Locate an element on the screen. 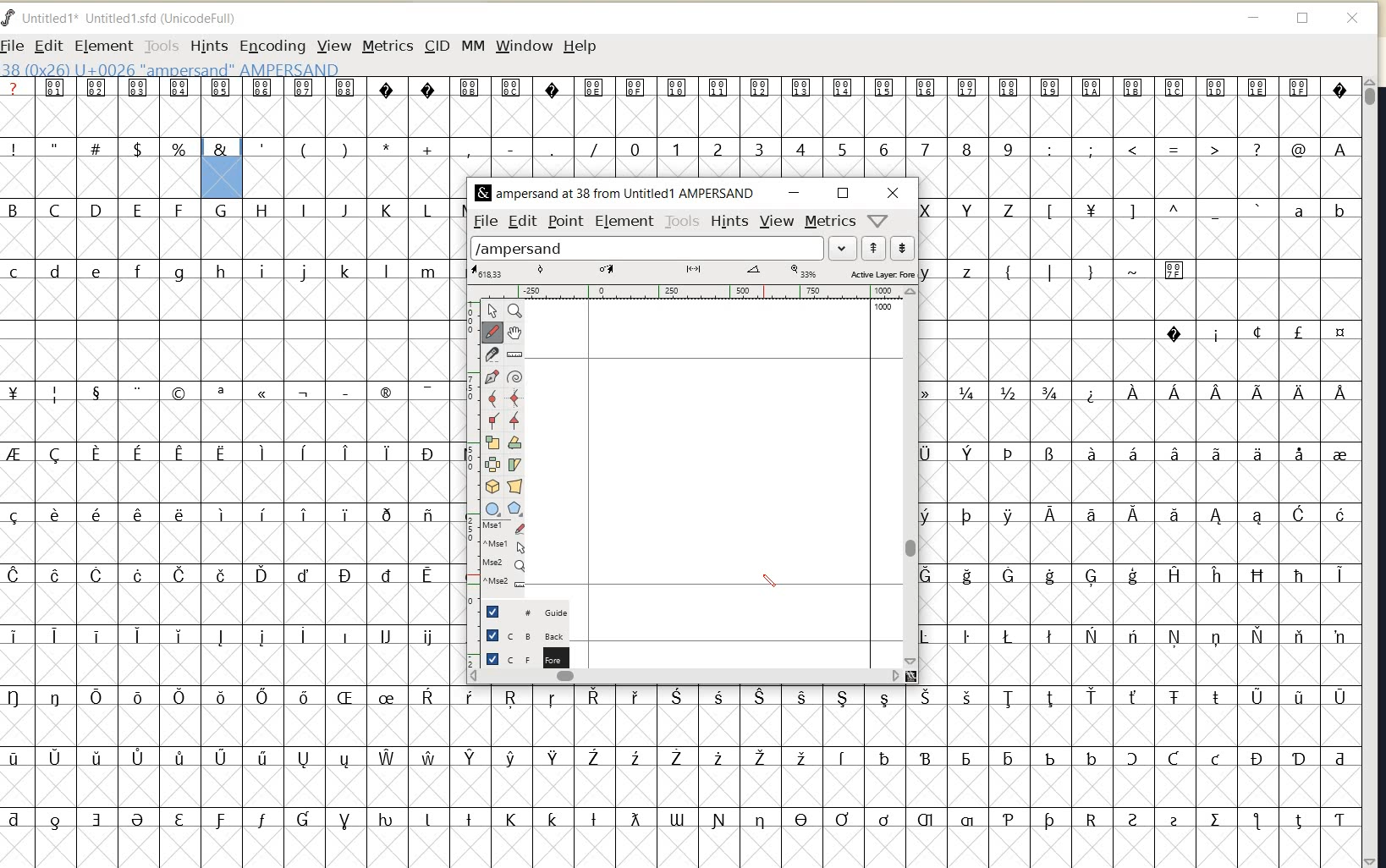 The width and height of the screenshot is (1386, 868). ELEMENT is located at coordinates (101, 46).